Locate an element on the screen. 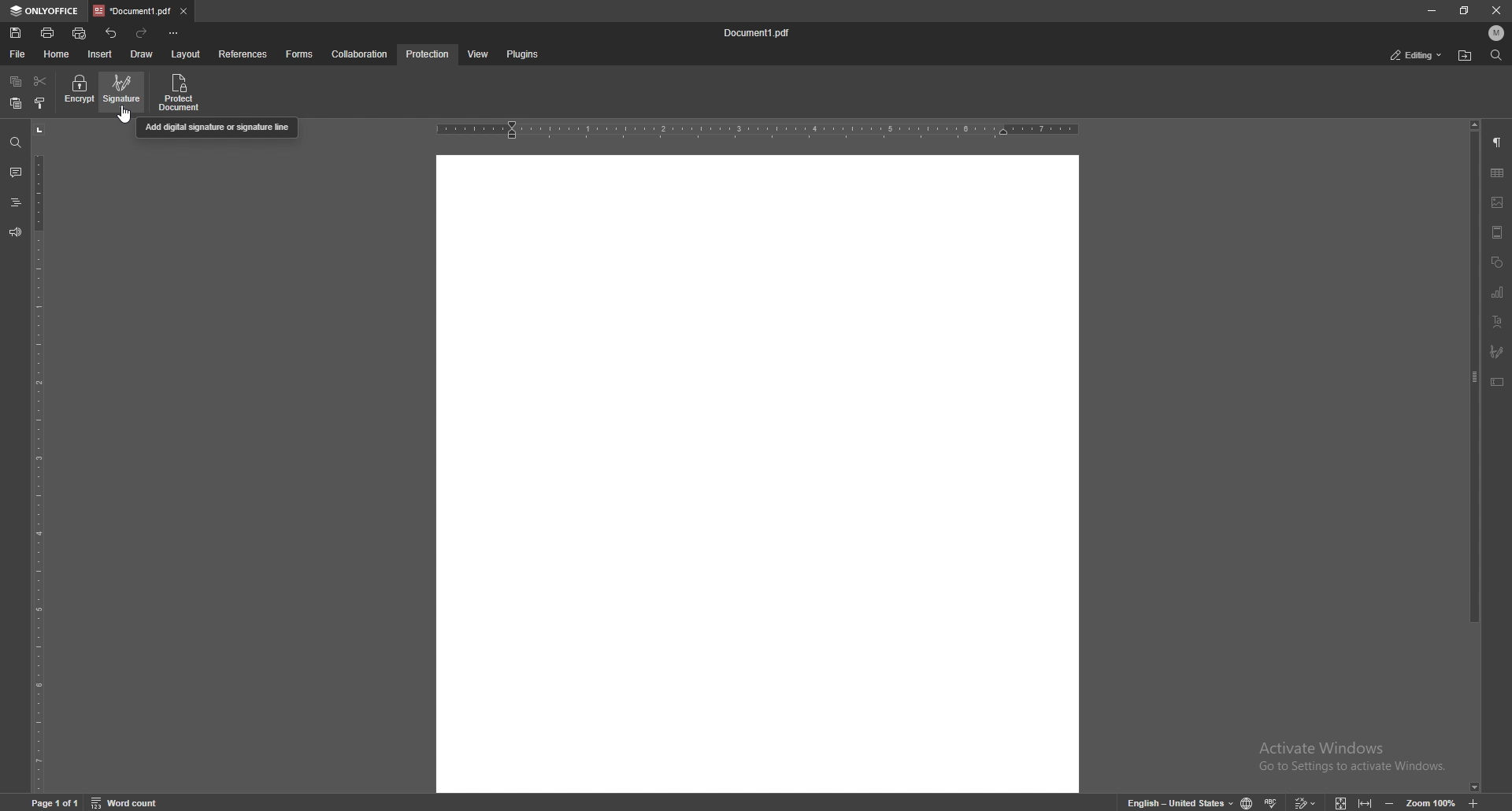  file name is located at coordinates (758, 33).